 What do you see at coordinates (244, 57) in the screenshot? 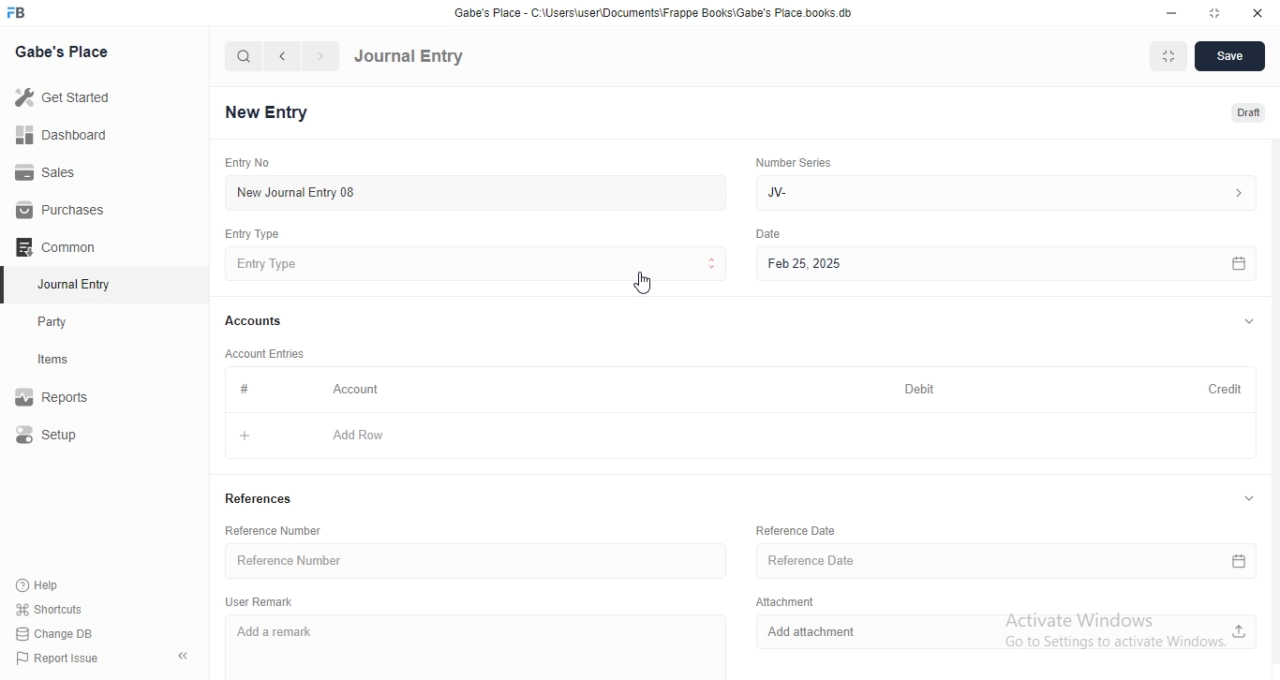
I see `search` at bounding box center [244, 57].